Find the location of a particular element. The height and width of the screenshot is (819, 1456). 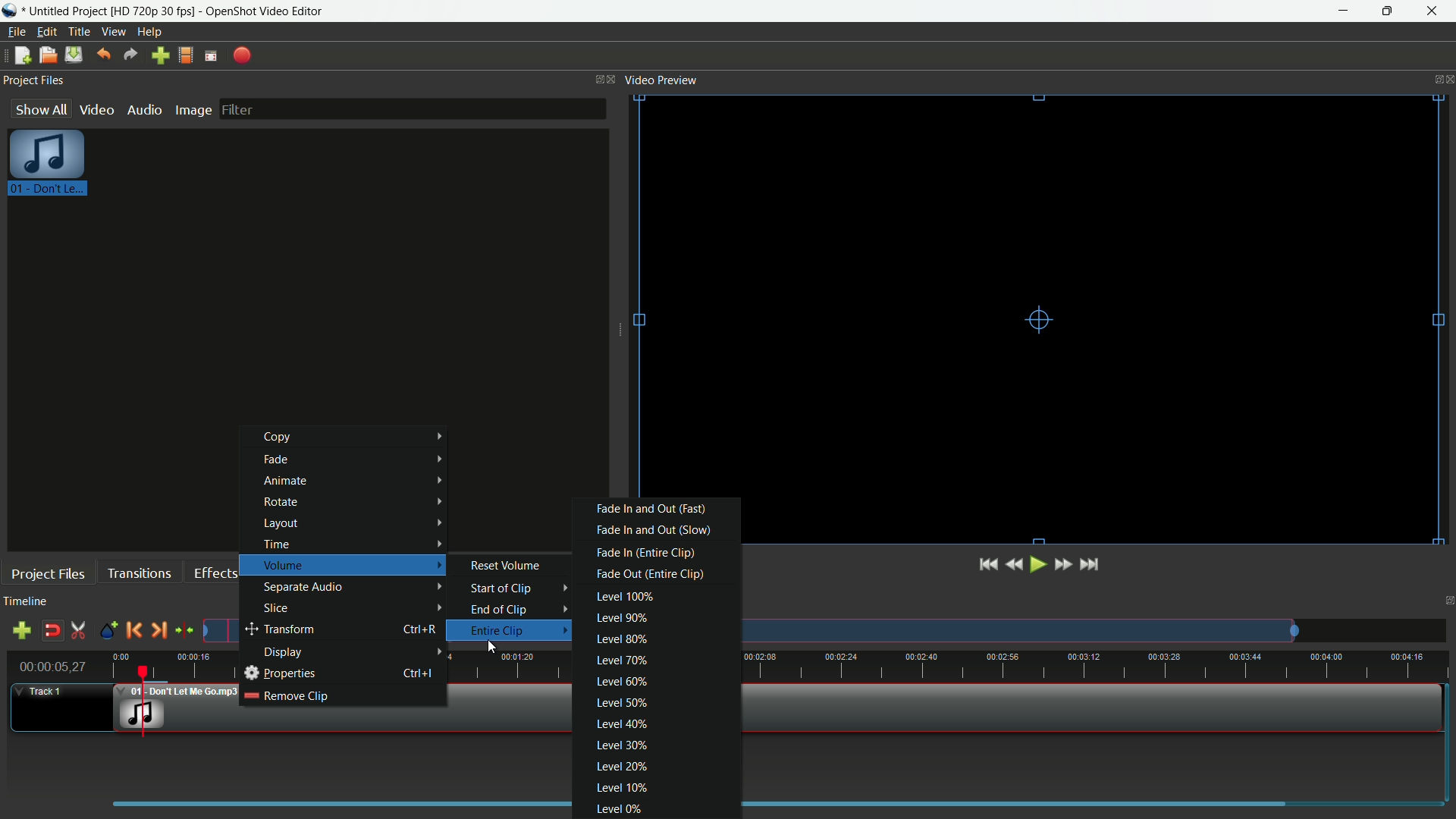

layout is located at coordinates (353, 523).